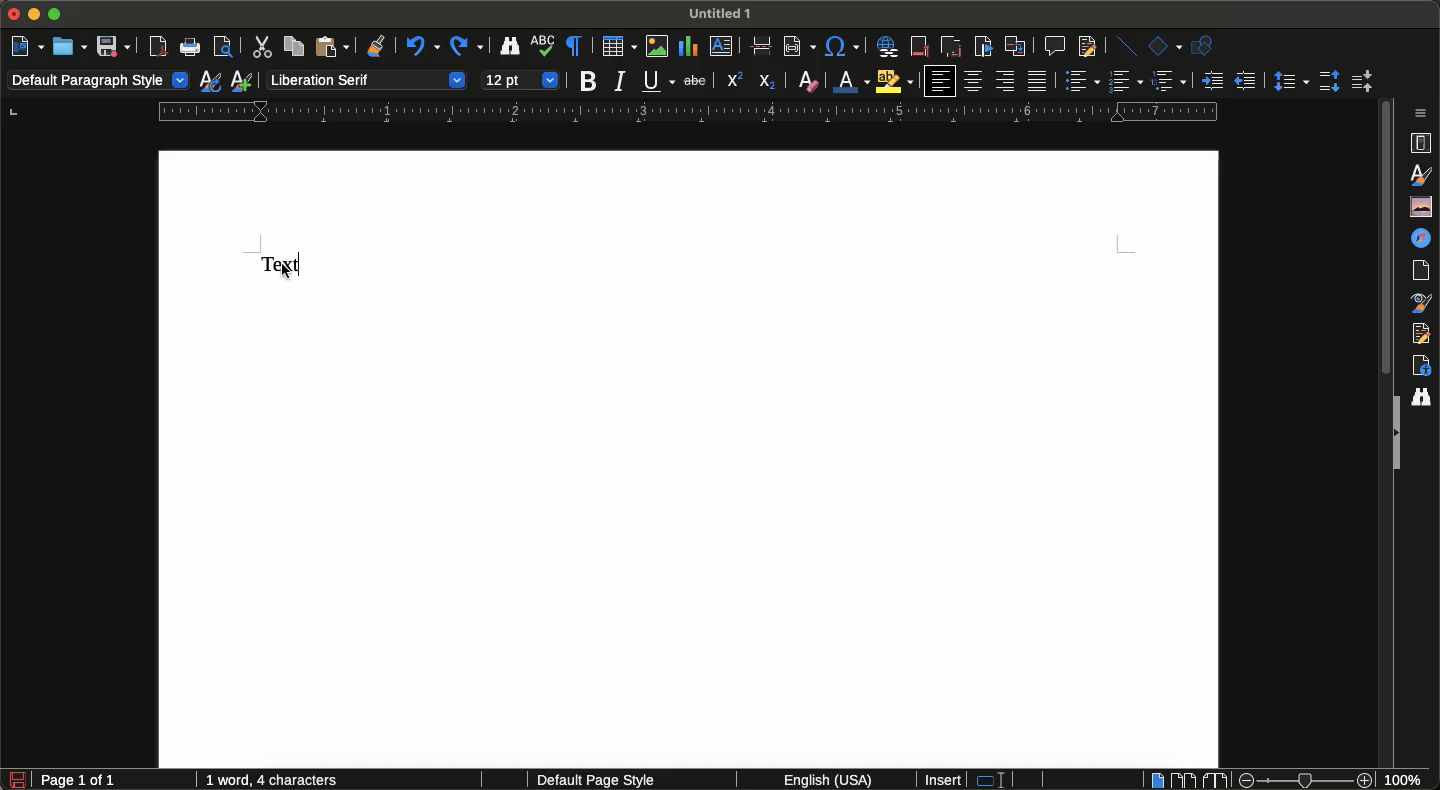 The height and width of the screenshot is (790, 1440). Describe the element at coordinates (939, 81) in the screenshot. I see `Align left` at that location.